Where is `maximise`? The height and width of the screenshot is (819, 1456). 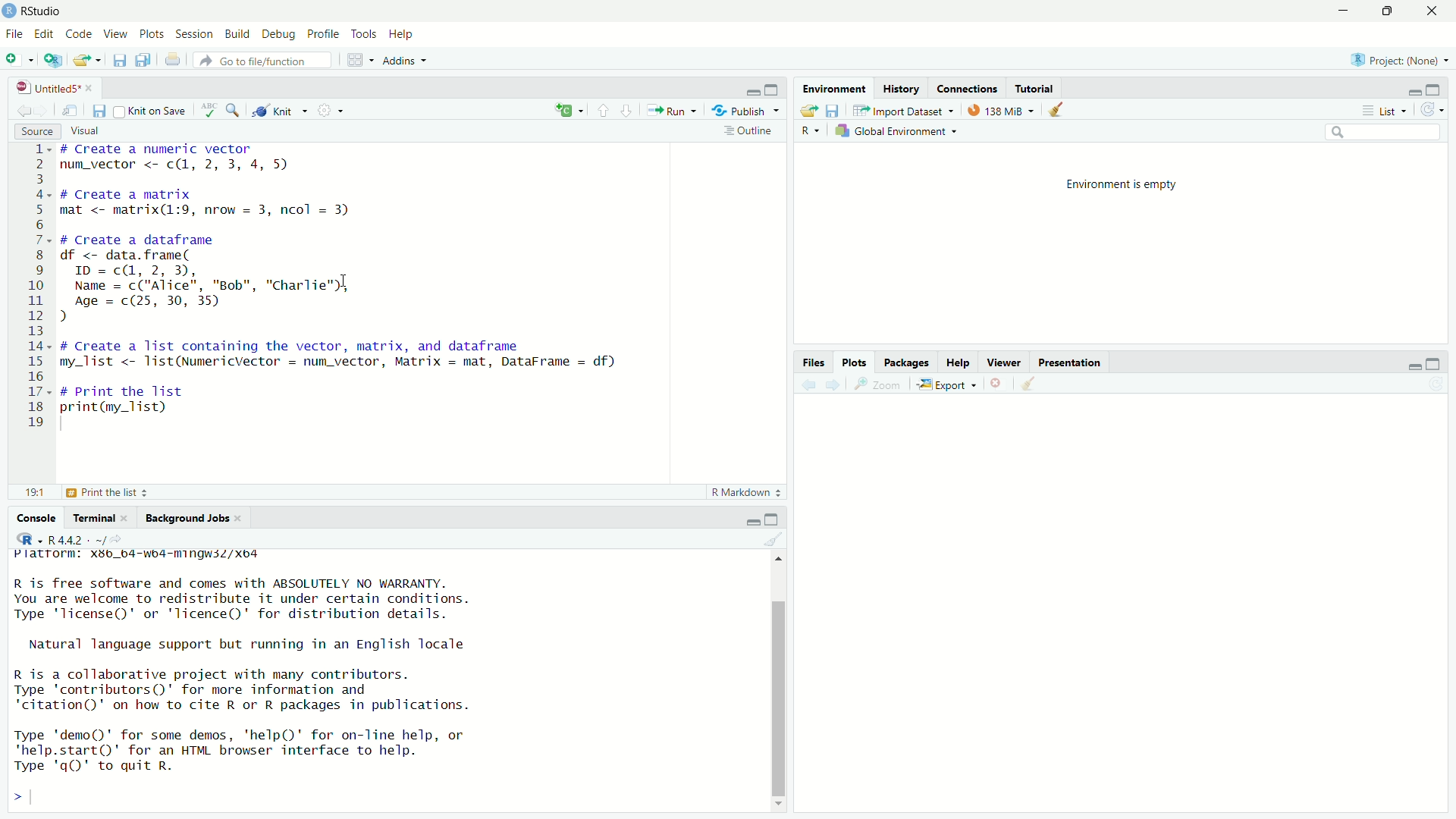 maximise is located at coordinates (772, 87).